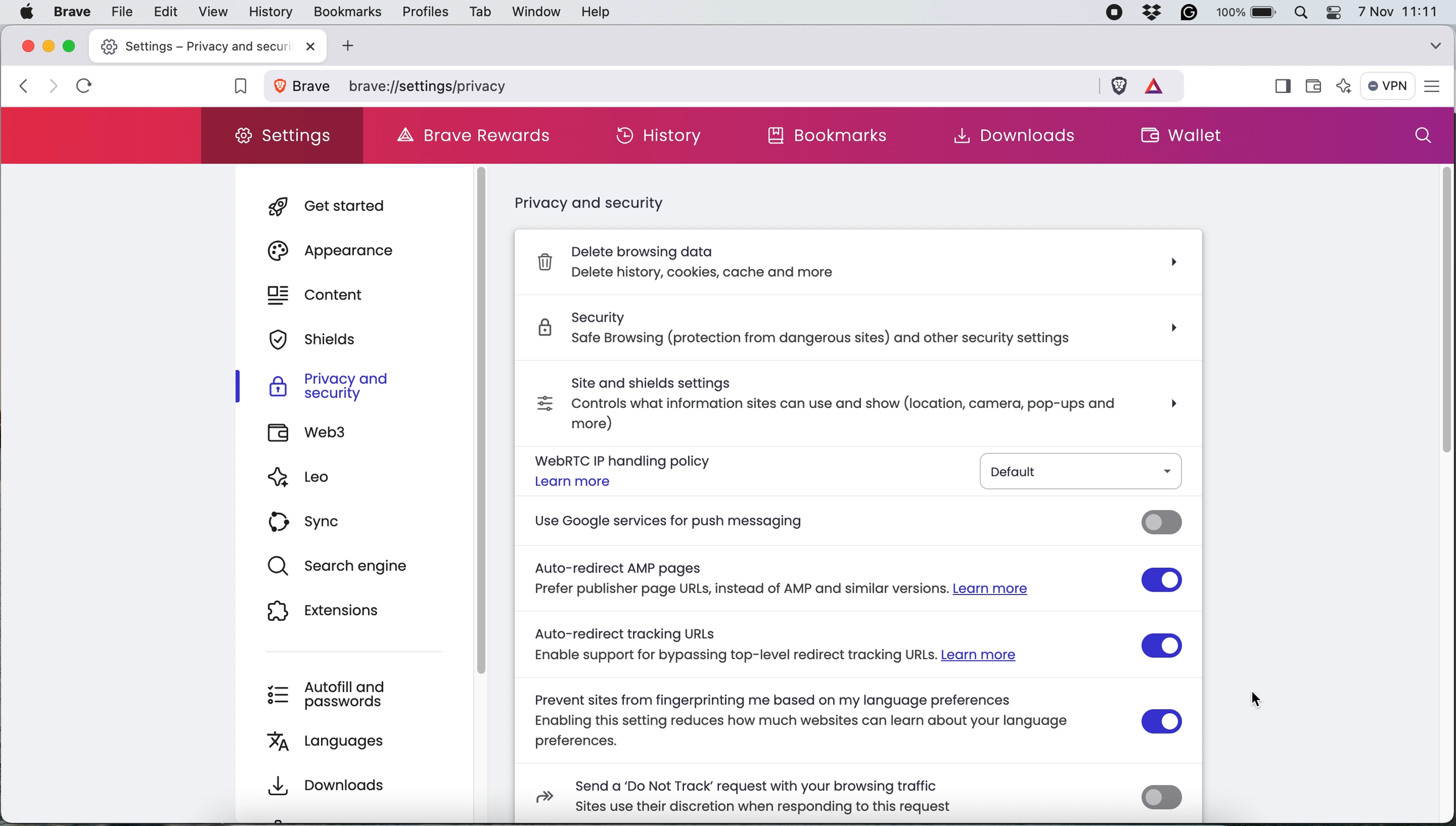 This screenshot has width=1456, height=826. I want to click on history, so click(660, 136).